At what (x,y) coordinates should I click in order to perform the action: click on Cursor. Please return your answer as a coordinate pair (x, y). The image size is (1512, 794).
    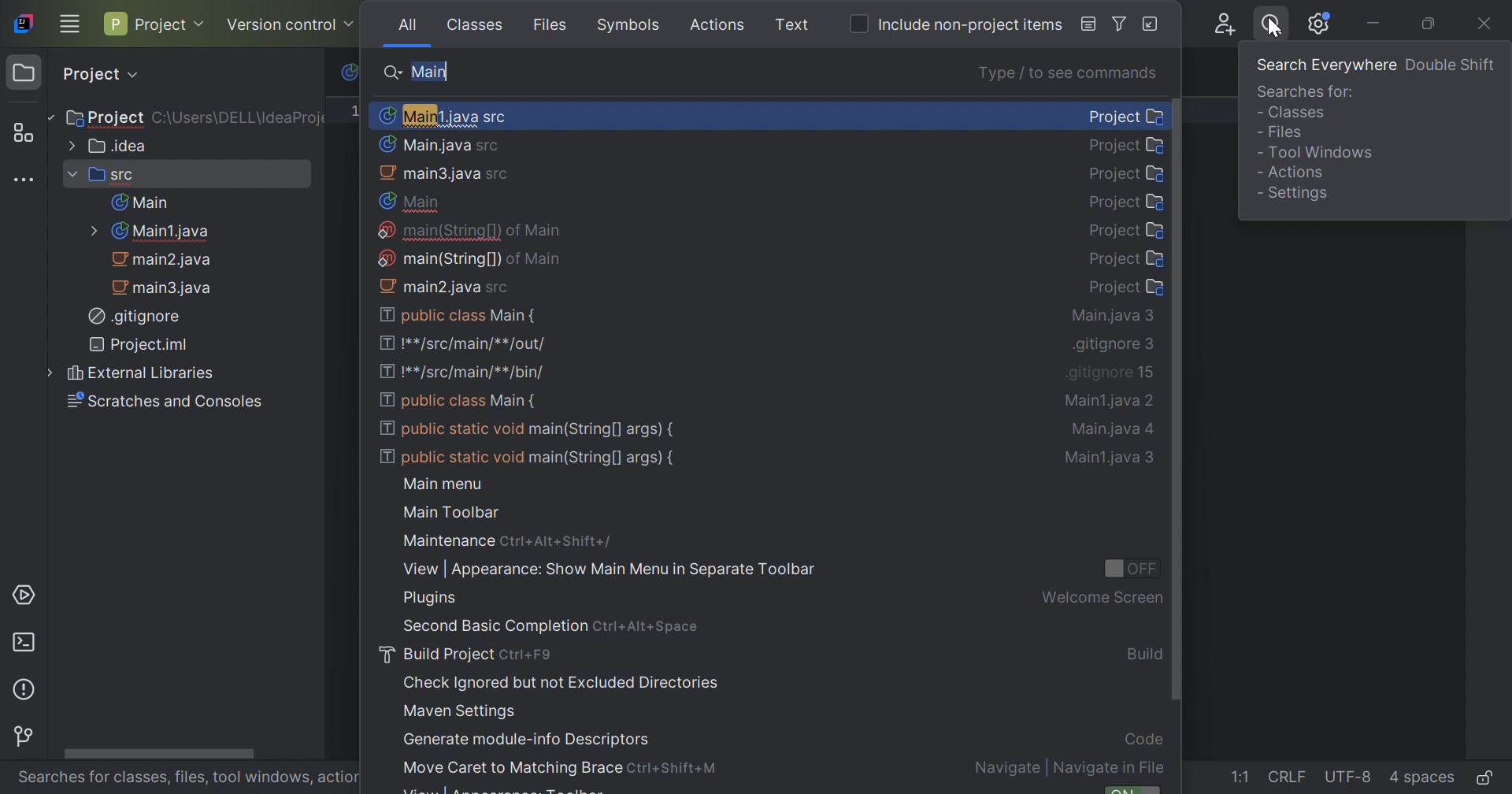
    Looking at the image, I should click on (1275, 31).